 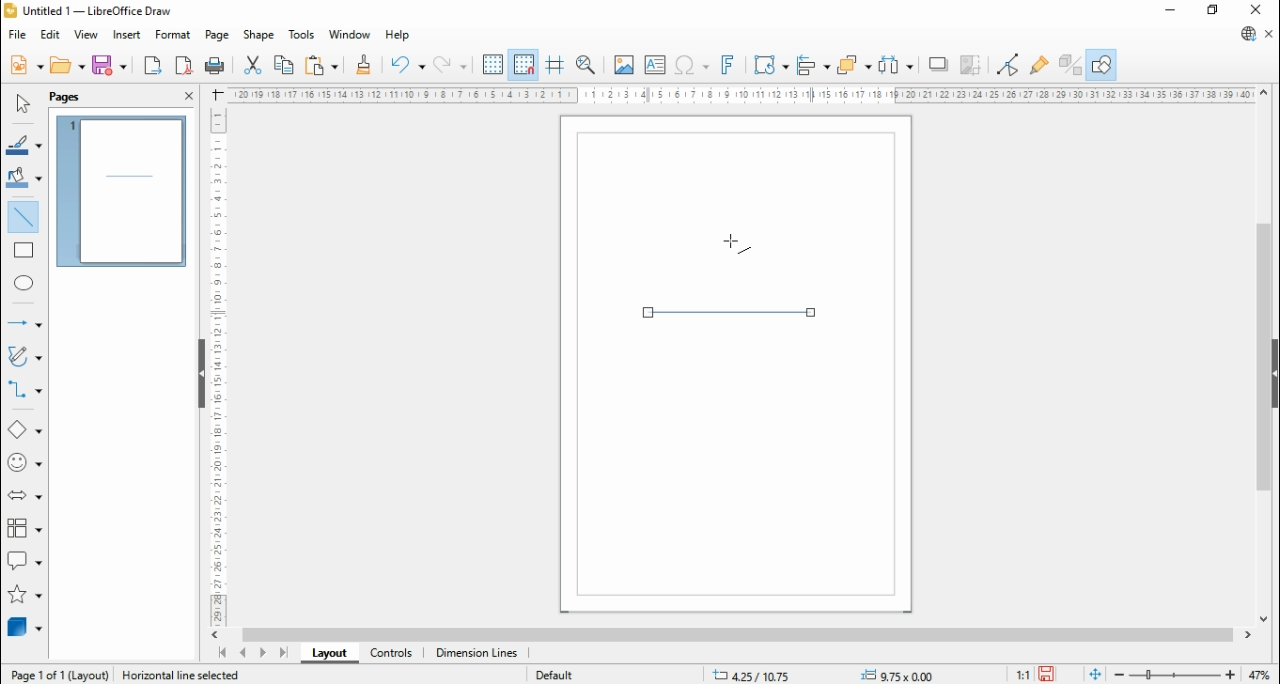 What do you see at coordinates (1069, 64) in the screenshot?
I see `toggle extrusions` at bounding box center [1069, 64].